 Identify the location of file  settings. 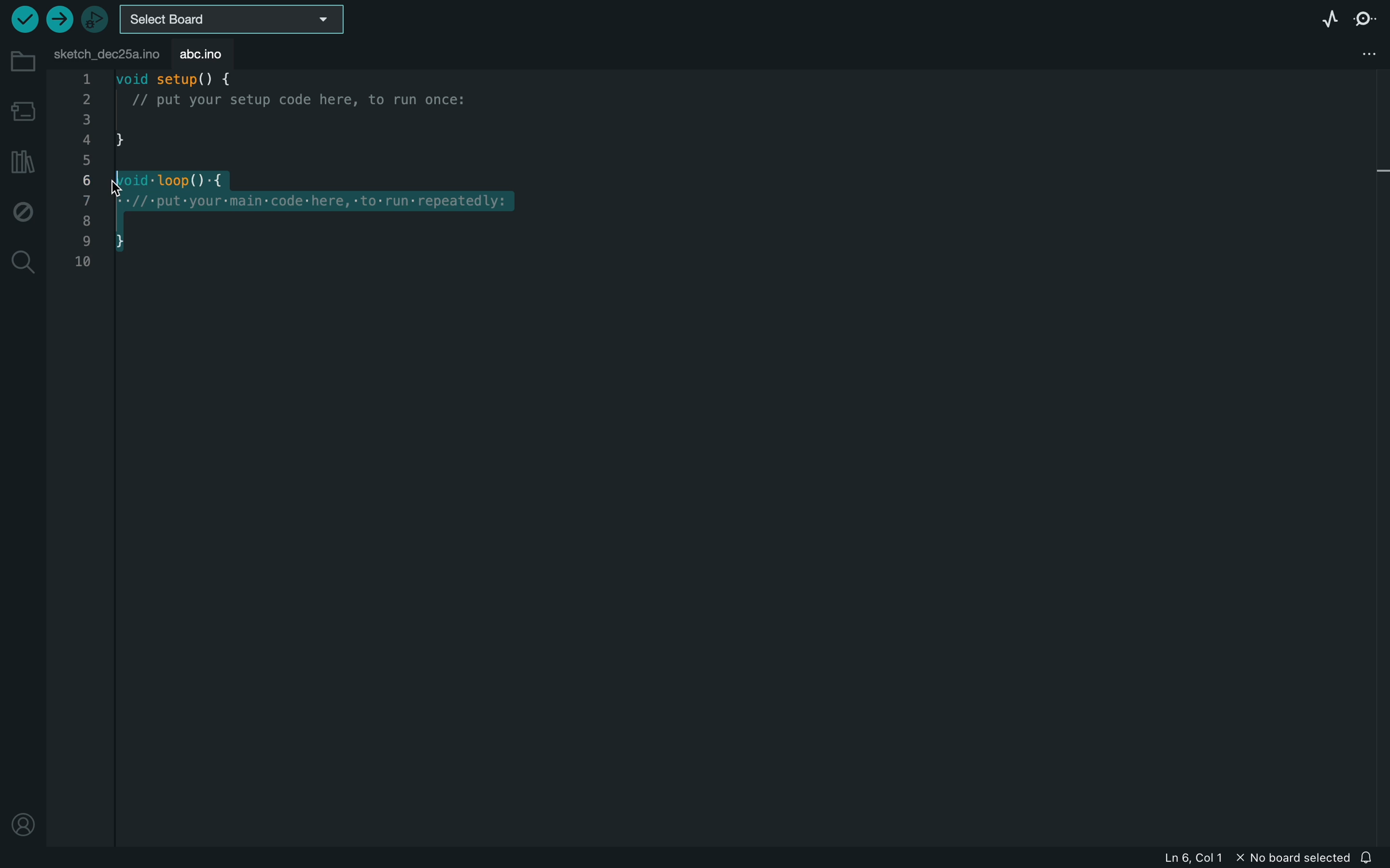
(1358, 54).